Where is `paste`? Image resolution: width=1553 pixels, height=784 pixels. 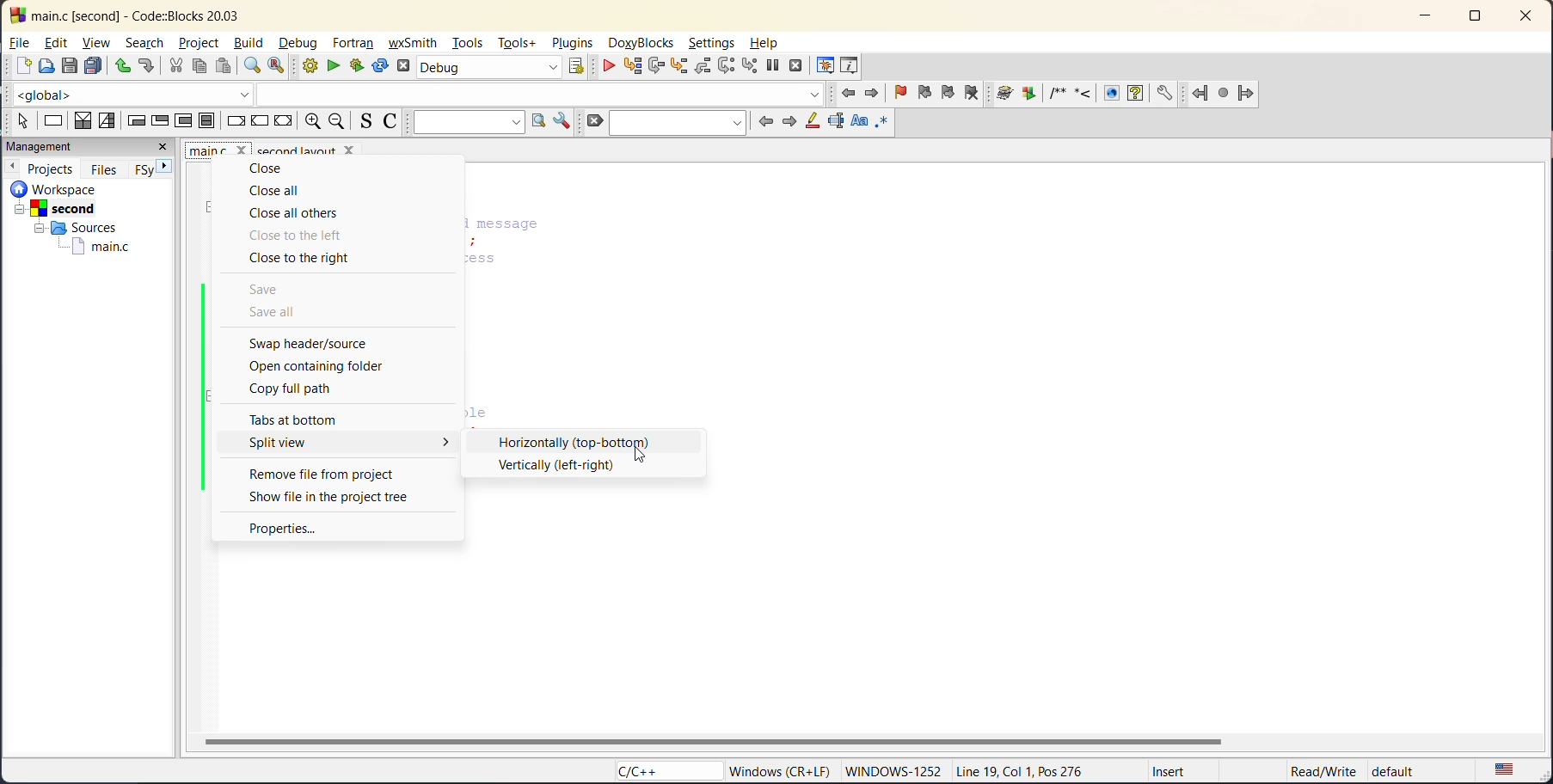 paste is located at coordinates (224, 67).